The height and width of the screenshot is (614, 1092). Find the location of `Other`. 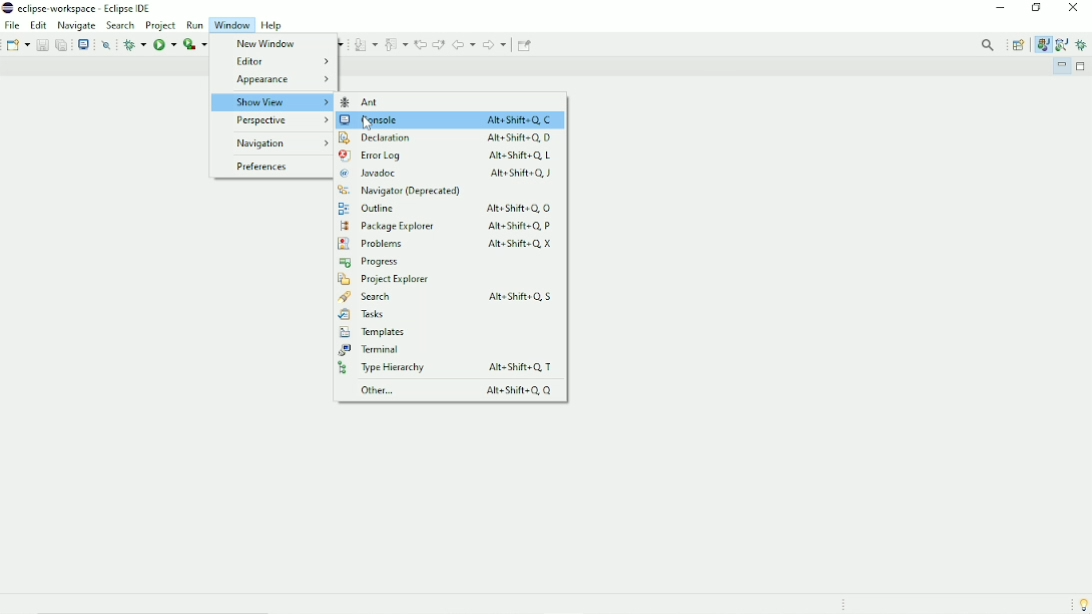

Other is located at coordinates (452, 390).